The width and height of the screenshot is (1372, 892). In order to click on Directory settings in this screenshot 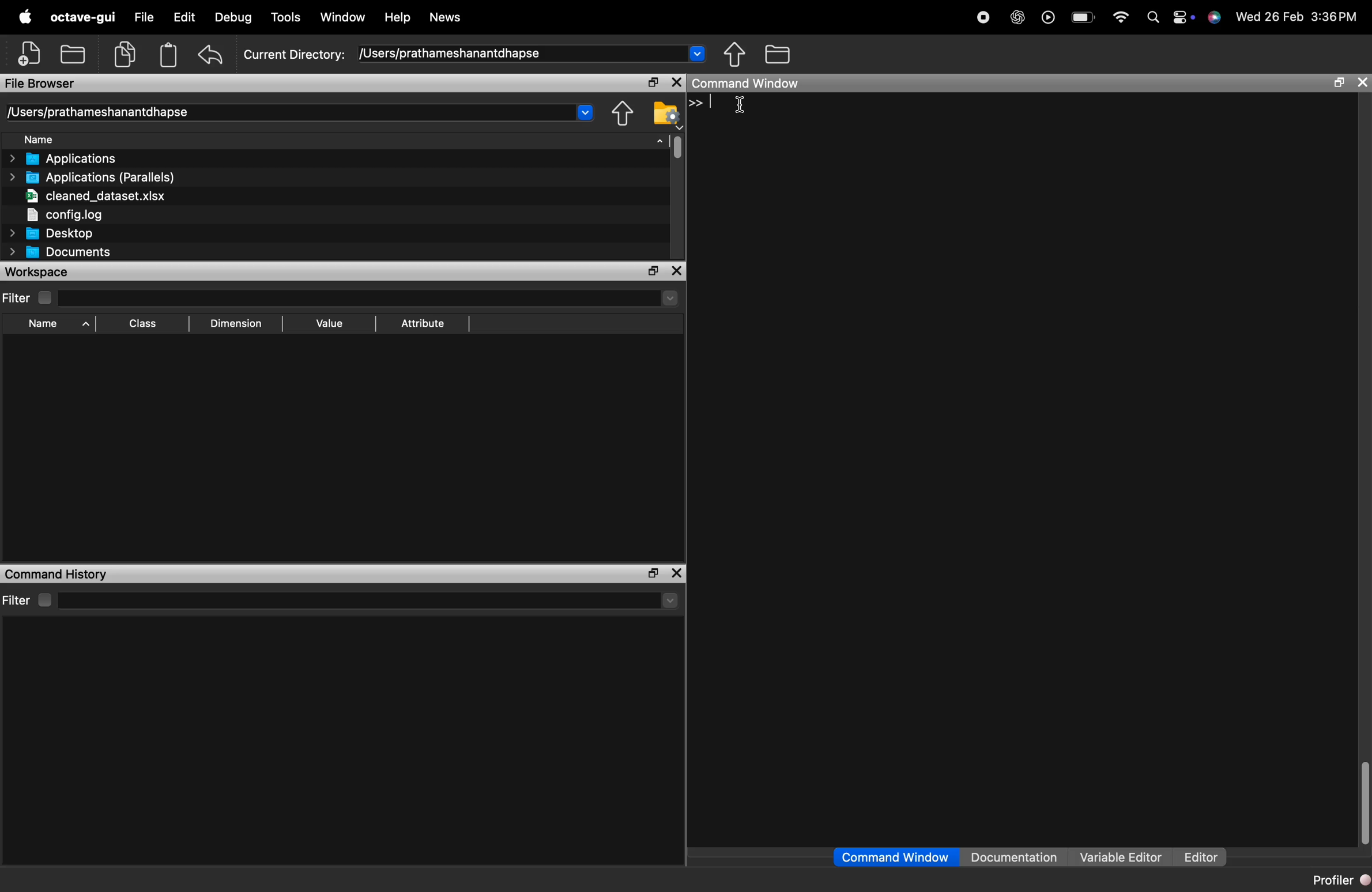, I will do `click(665, 112)`.